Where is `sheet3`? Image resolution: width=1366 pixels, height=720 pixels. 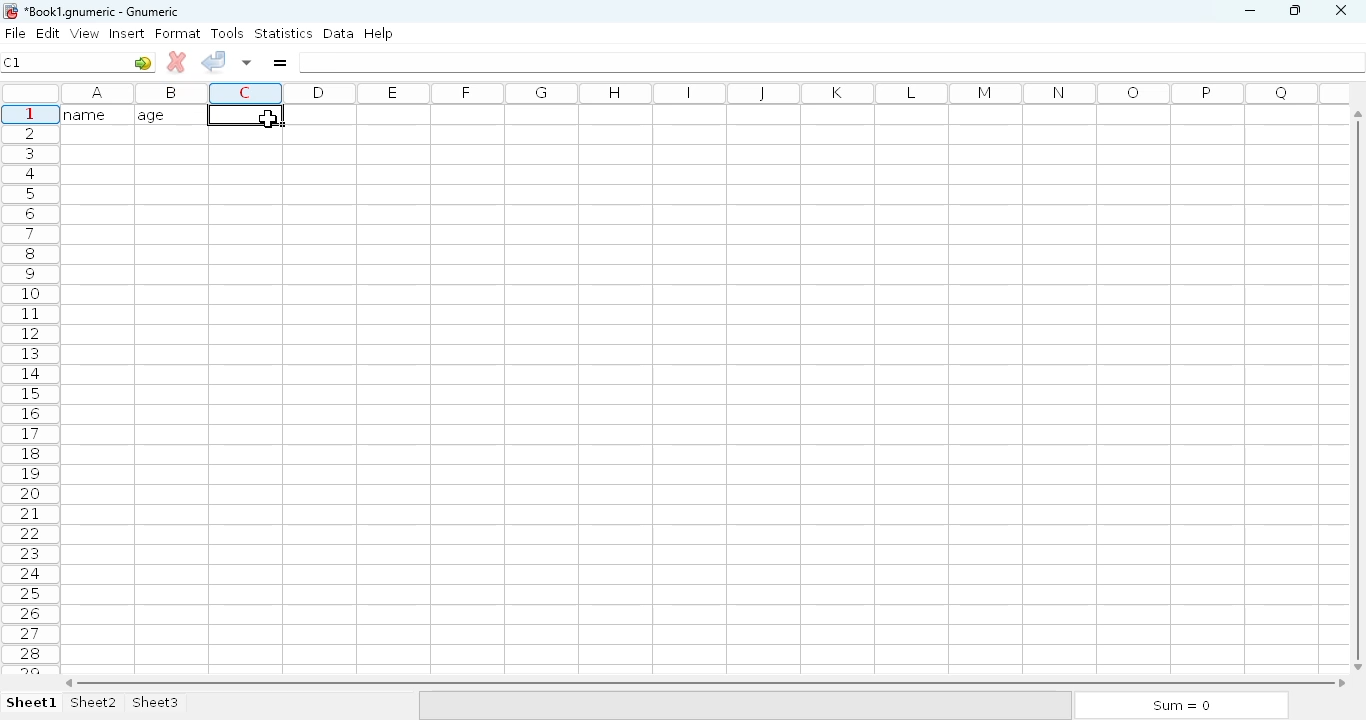
sheet3 is located at coordinates (155, 703).